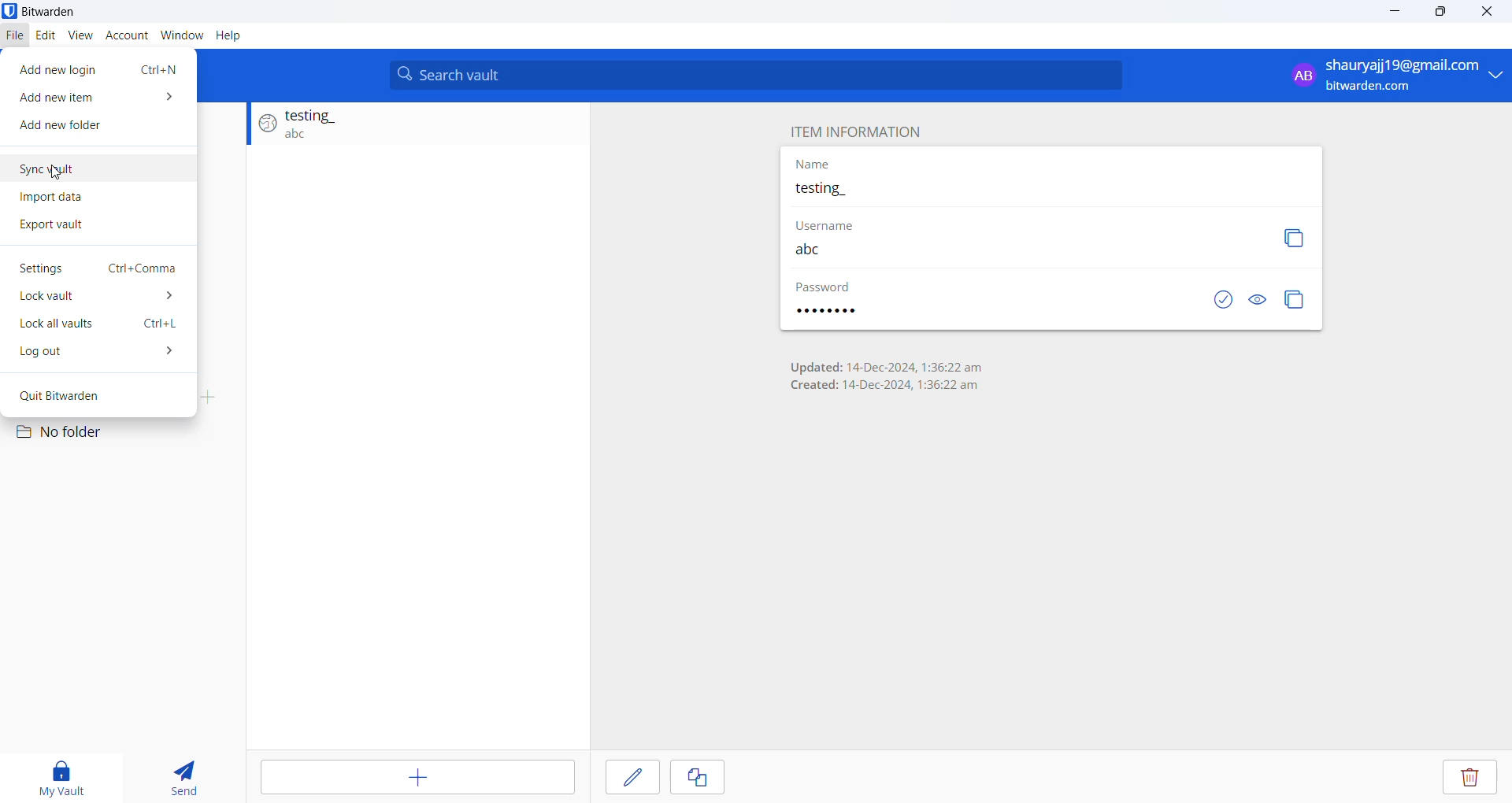 Image resolution: width=1512 pixels, height=803 pixels. Describe the element at coordinates (98, 299) in the screenshot. I see `Lock vault` at that location.